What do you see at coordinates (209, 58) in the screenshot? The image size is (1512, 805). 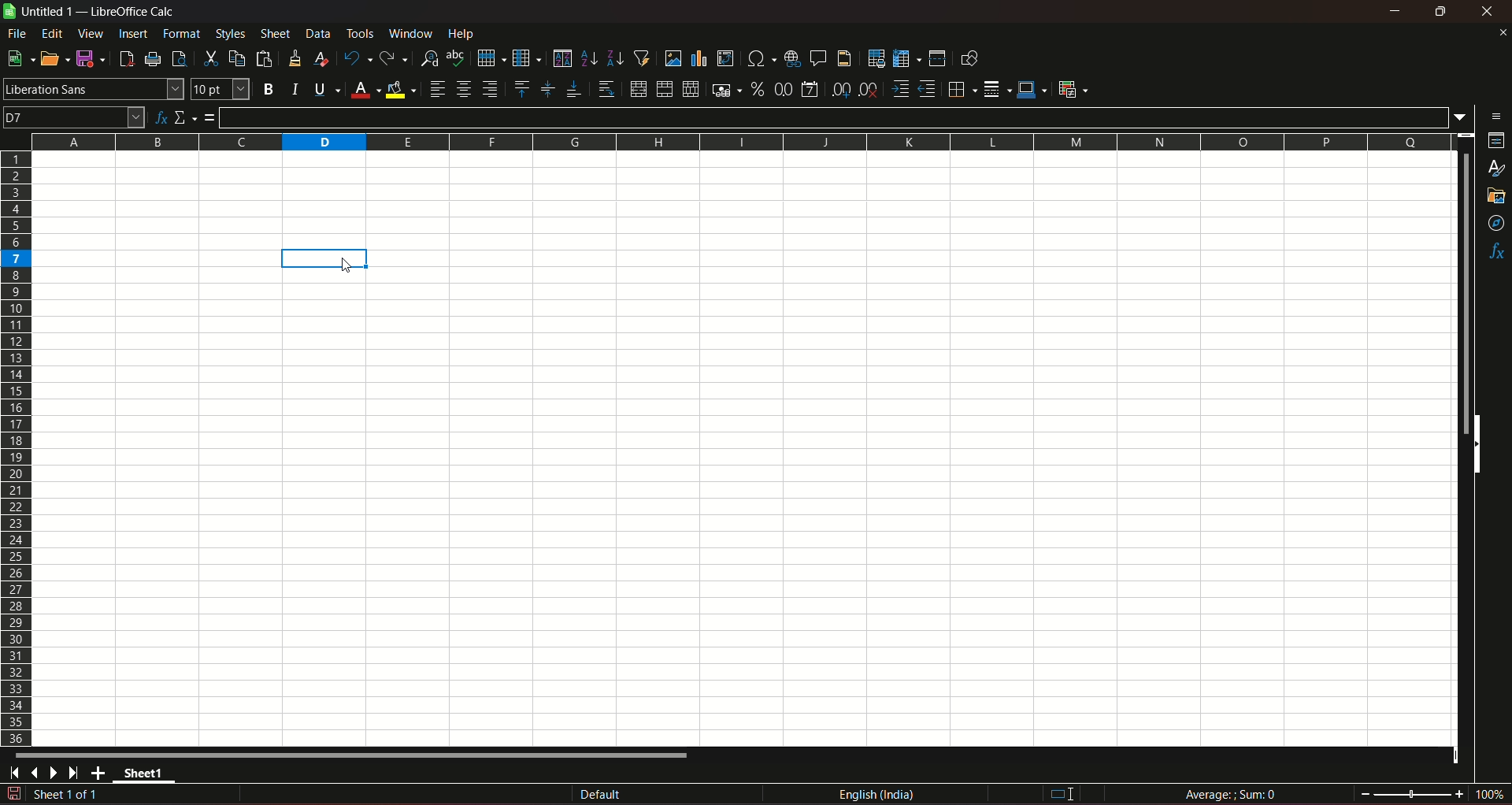 I see `cut` at bounding box center [209, 58].